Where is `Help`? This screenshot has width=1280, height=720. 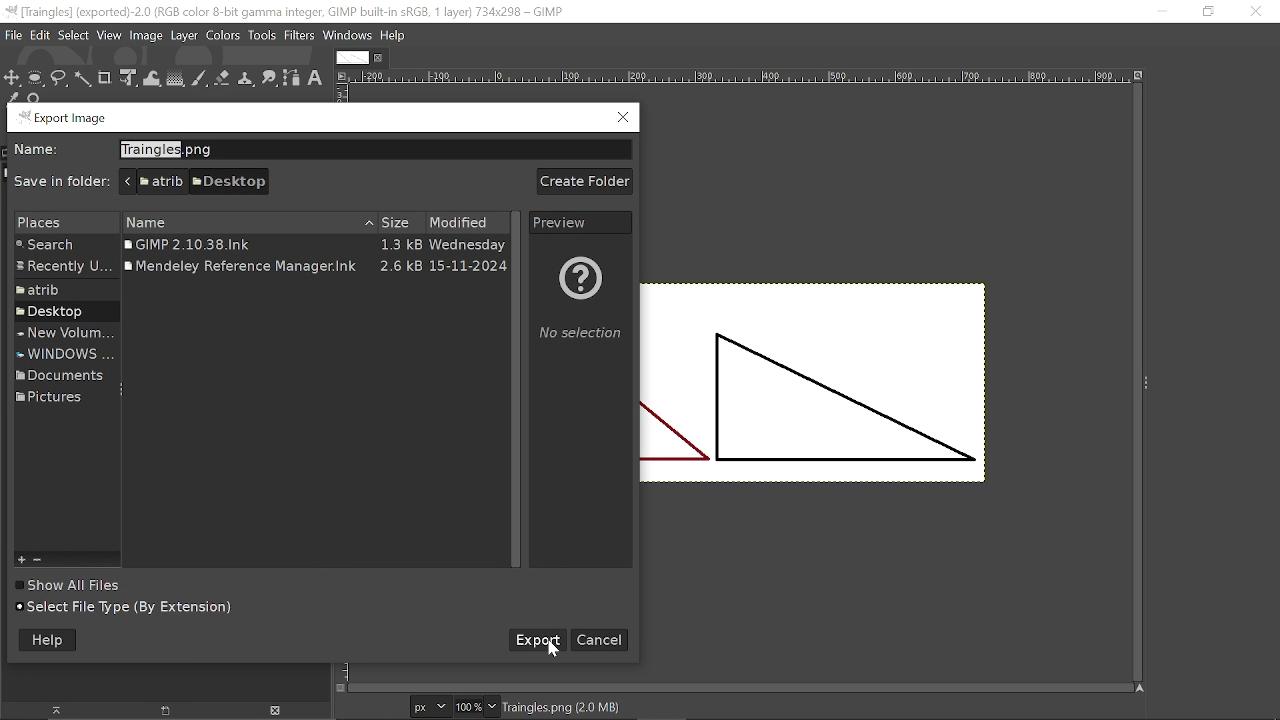 Help is located at coordinates (393, 35).